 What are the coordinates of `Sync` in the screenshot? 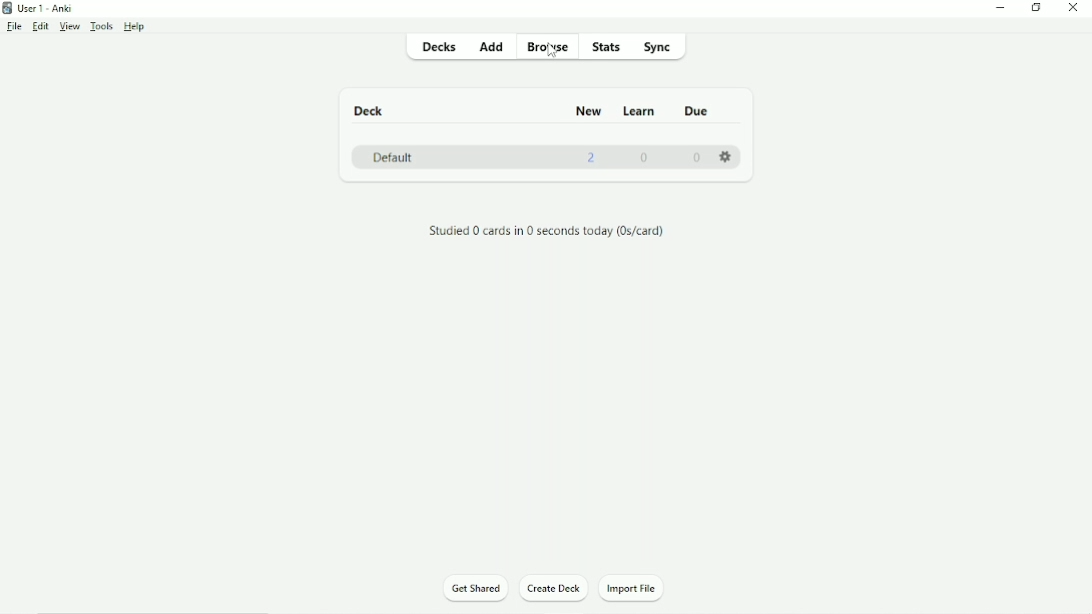 It's located at (658, 47).